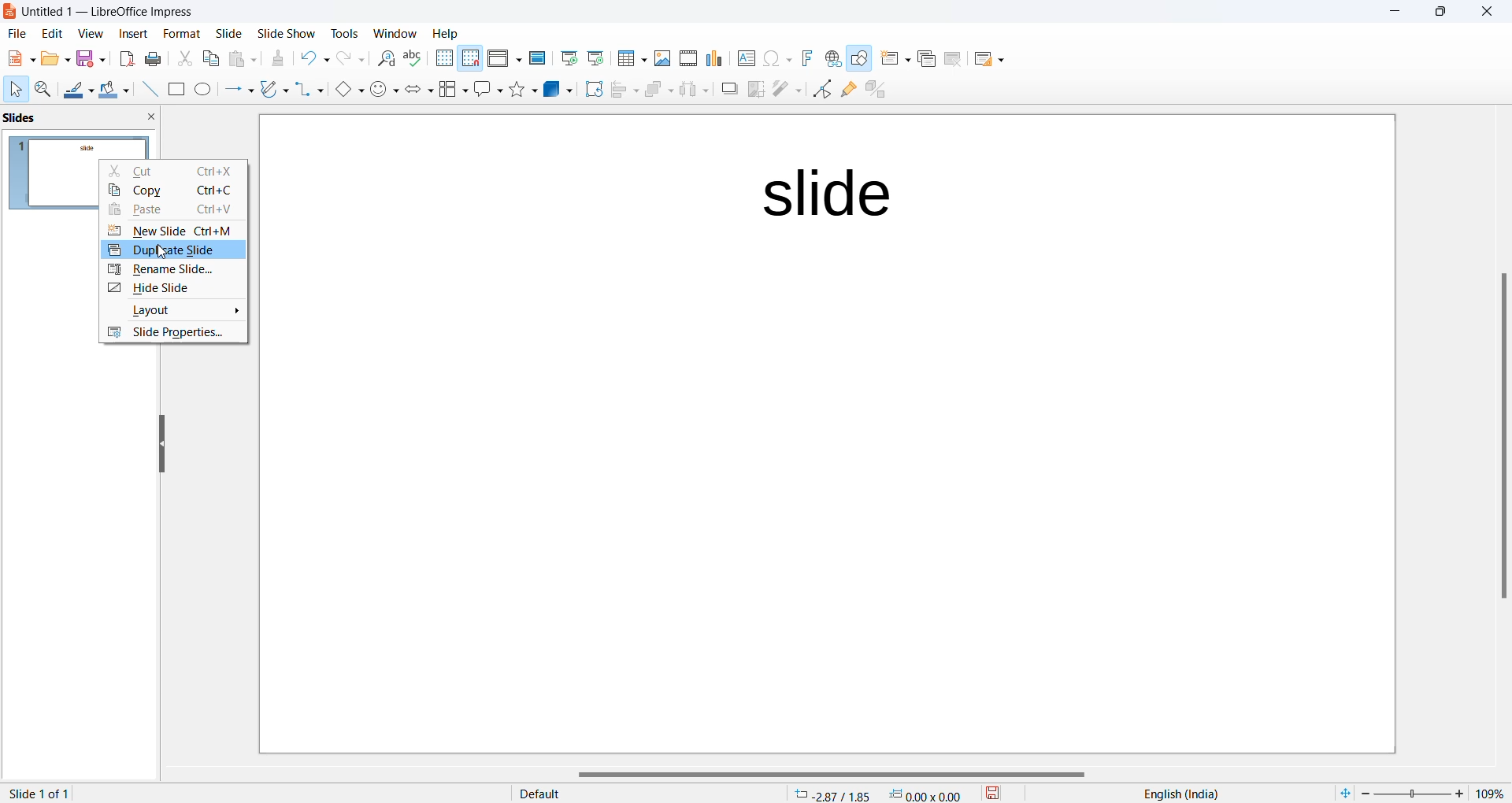 Image resolution: width=1512 pixels, height=803 pixels. What do you see at coordinates (994, 57) in the screenshot?
I see `Slide layout` at bounding box center [994, 57].